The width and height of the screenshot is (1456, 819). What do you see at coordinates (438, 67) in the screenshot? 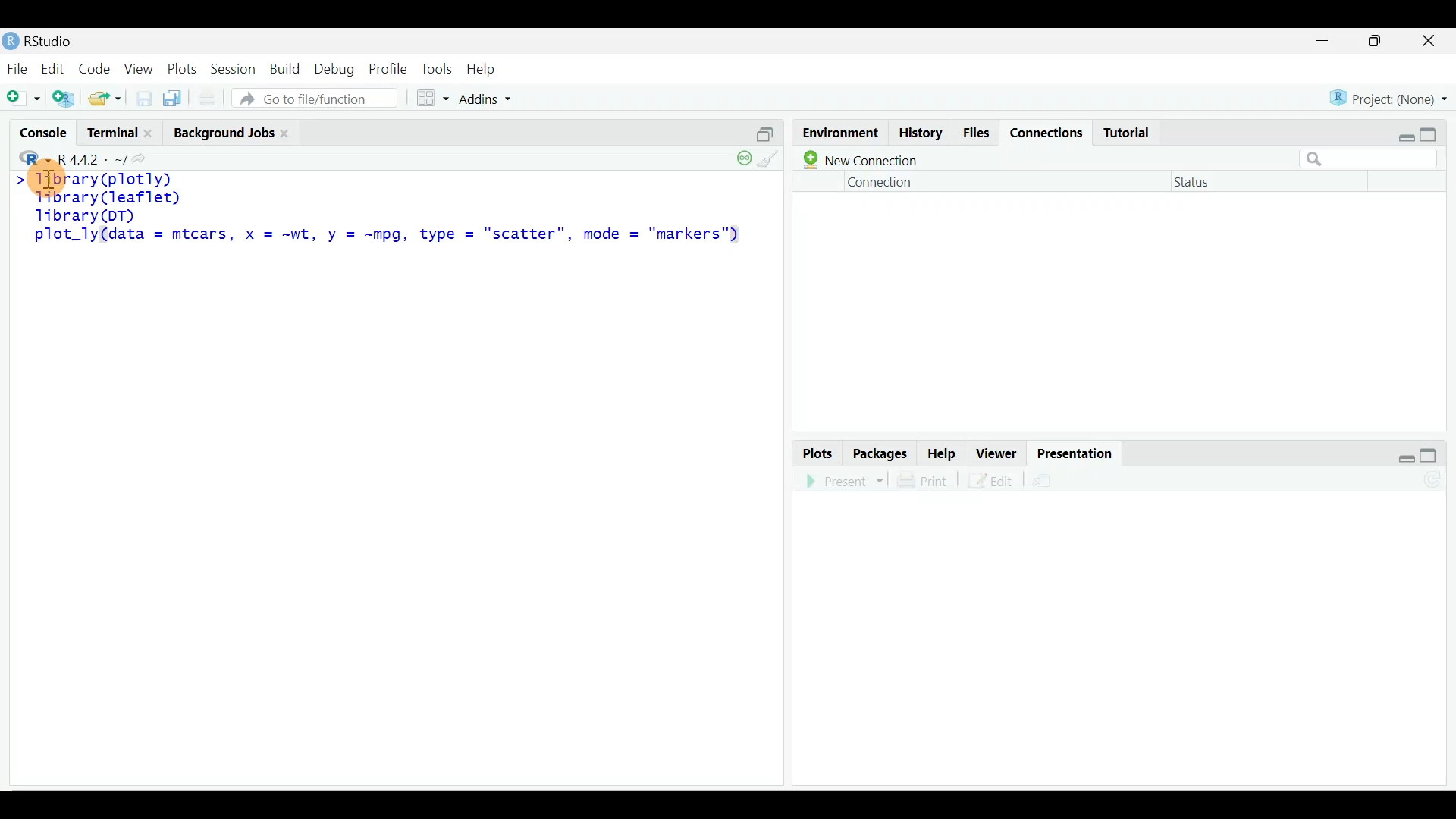
I see `Tools` at bounding box center [438, 67].